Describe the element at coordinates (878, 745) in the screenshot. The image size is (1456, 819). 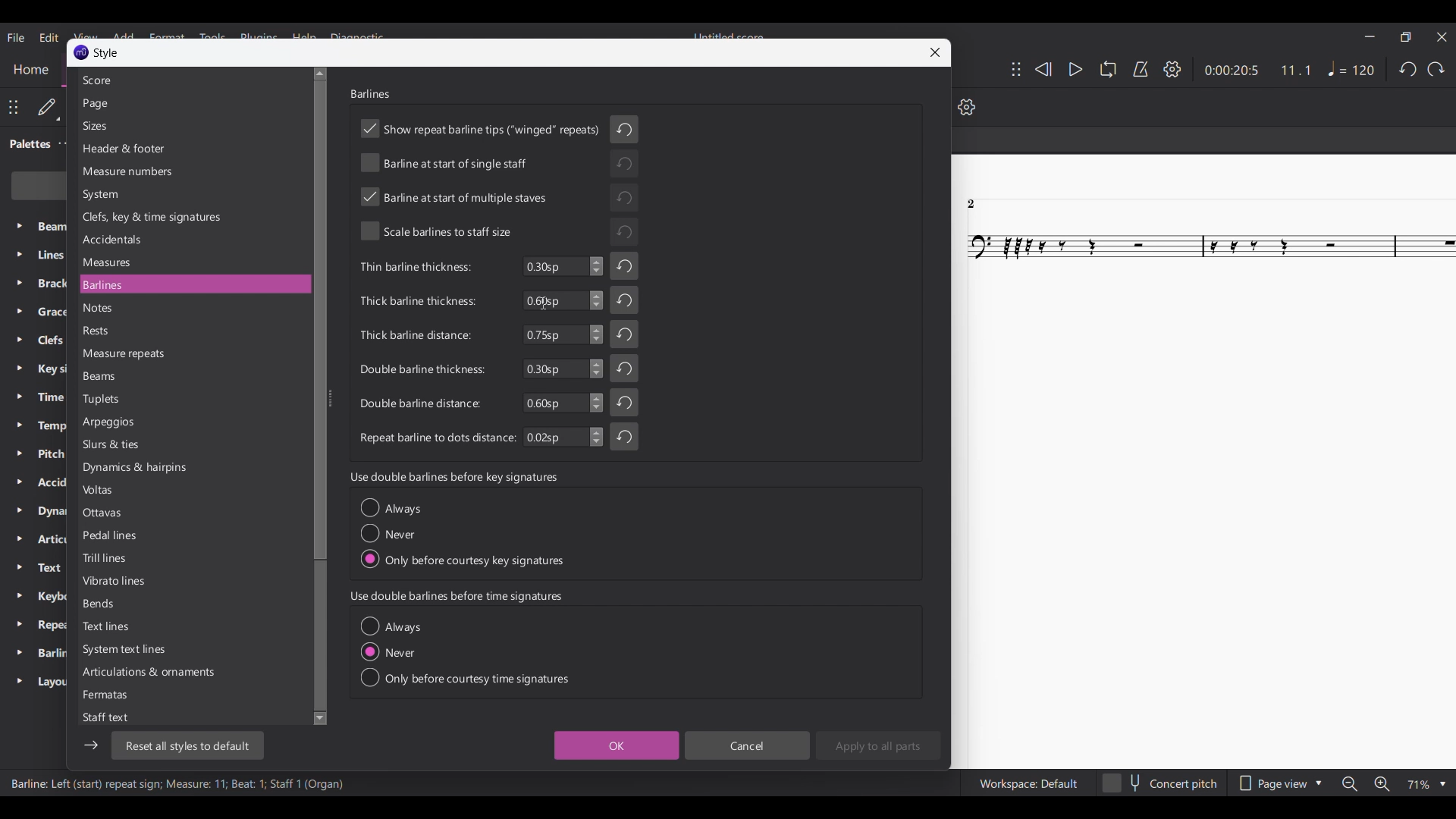
I see `Apply to all parts` at that location.